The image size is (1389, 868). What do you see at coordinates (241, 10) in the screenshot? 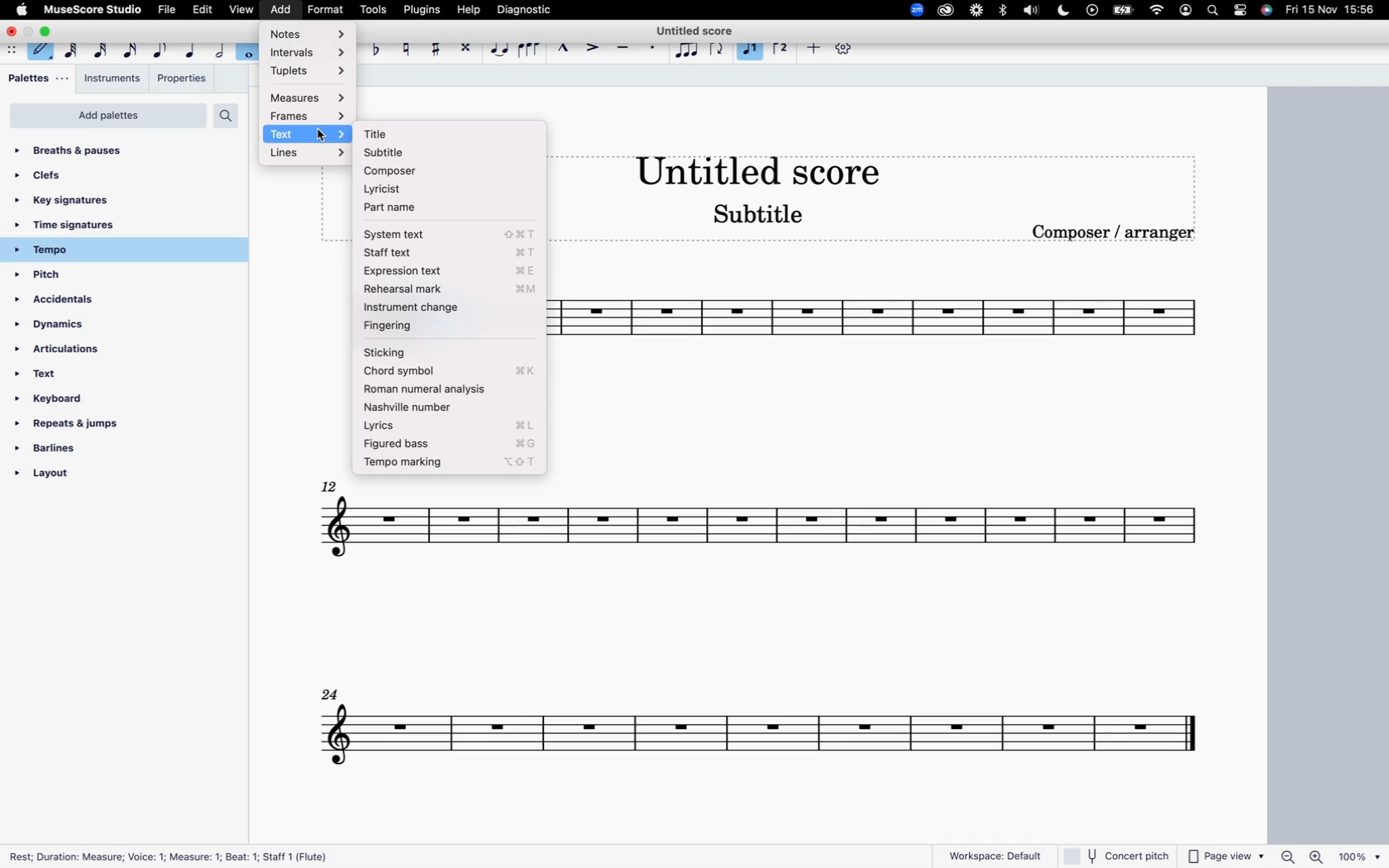
I see `view` at bounding box center [241, 10].